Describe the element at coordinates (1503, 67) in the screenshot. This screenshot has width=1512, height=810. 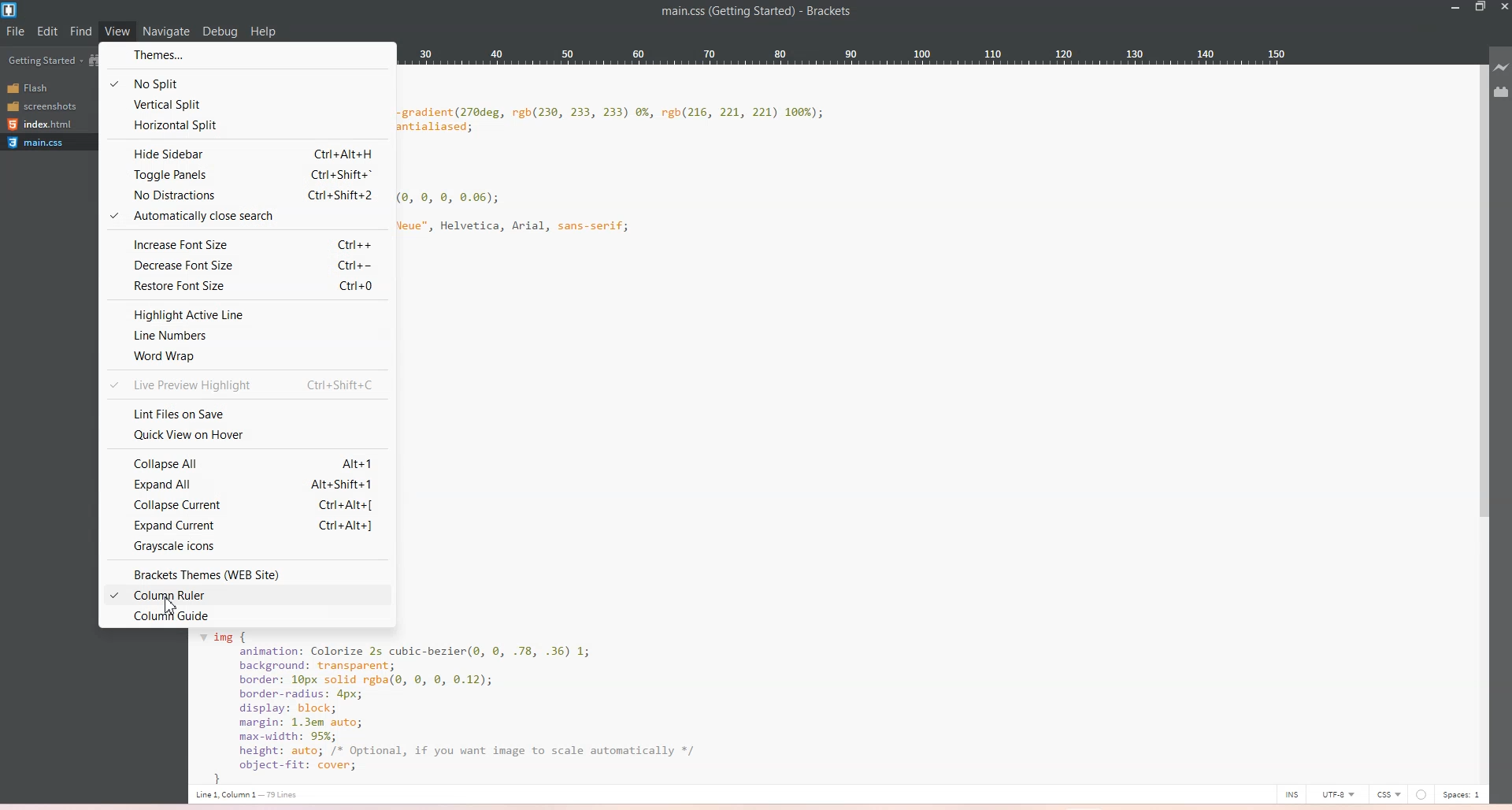
I see `Live Preview` at that location.